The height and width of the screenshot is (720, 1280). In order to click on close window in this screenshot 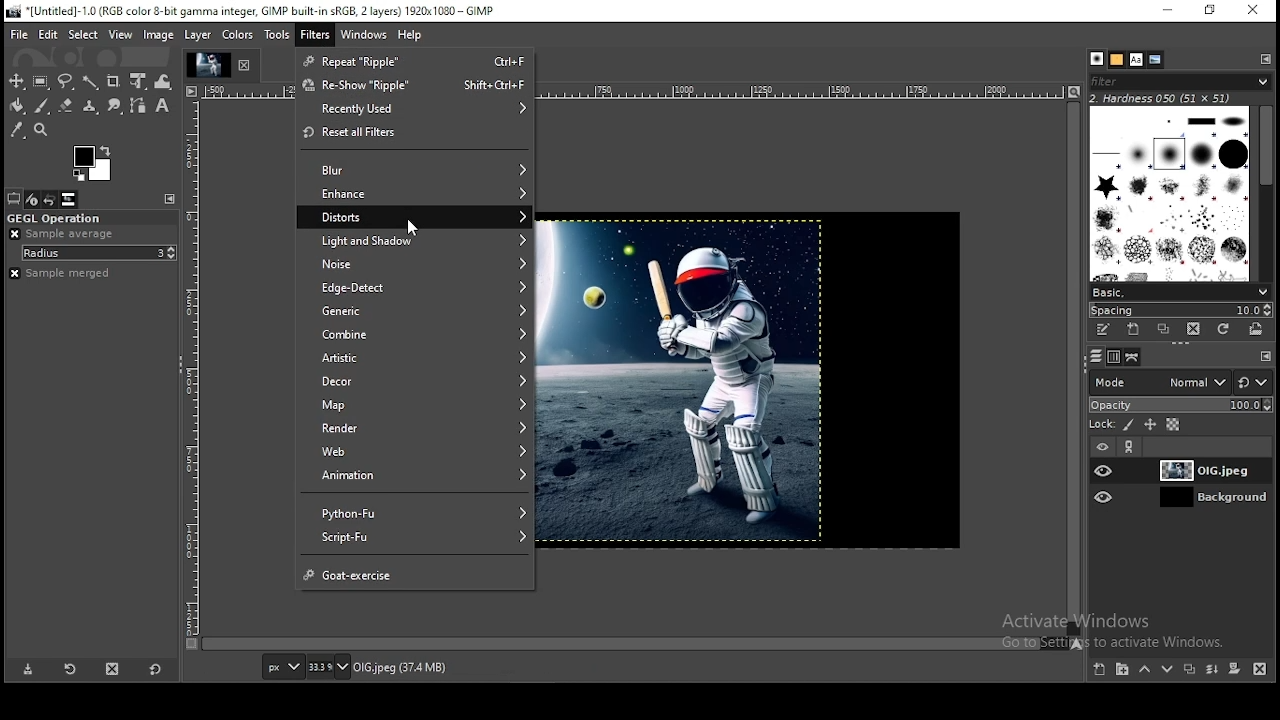, I will do `click(1255, 11)`.